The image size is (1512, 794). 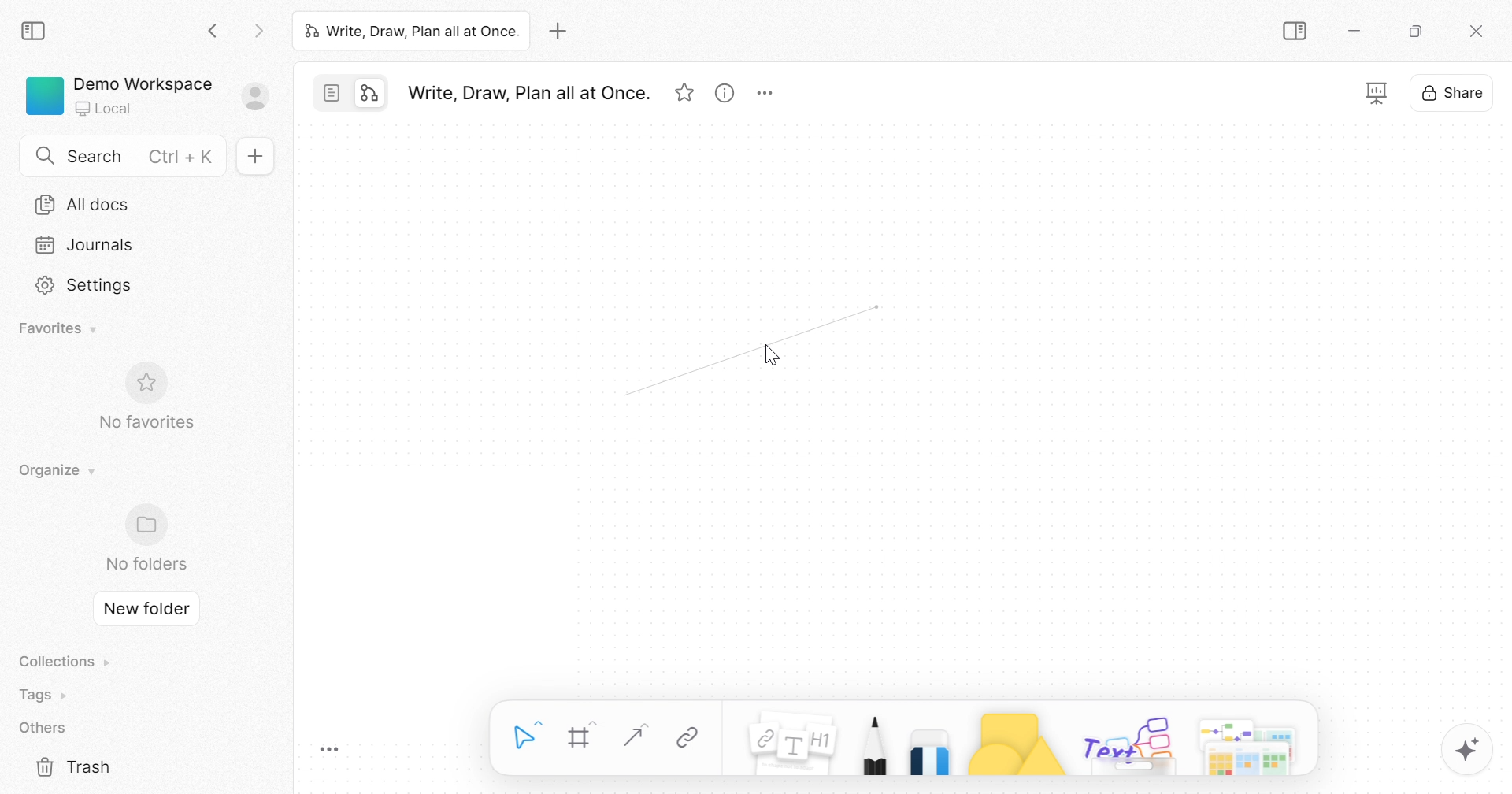 I want to click on Close, so click(x=1477, y=33).